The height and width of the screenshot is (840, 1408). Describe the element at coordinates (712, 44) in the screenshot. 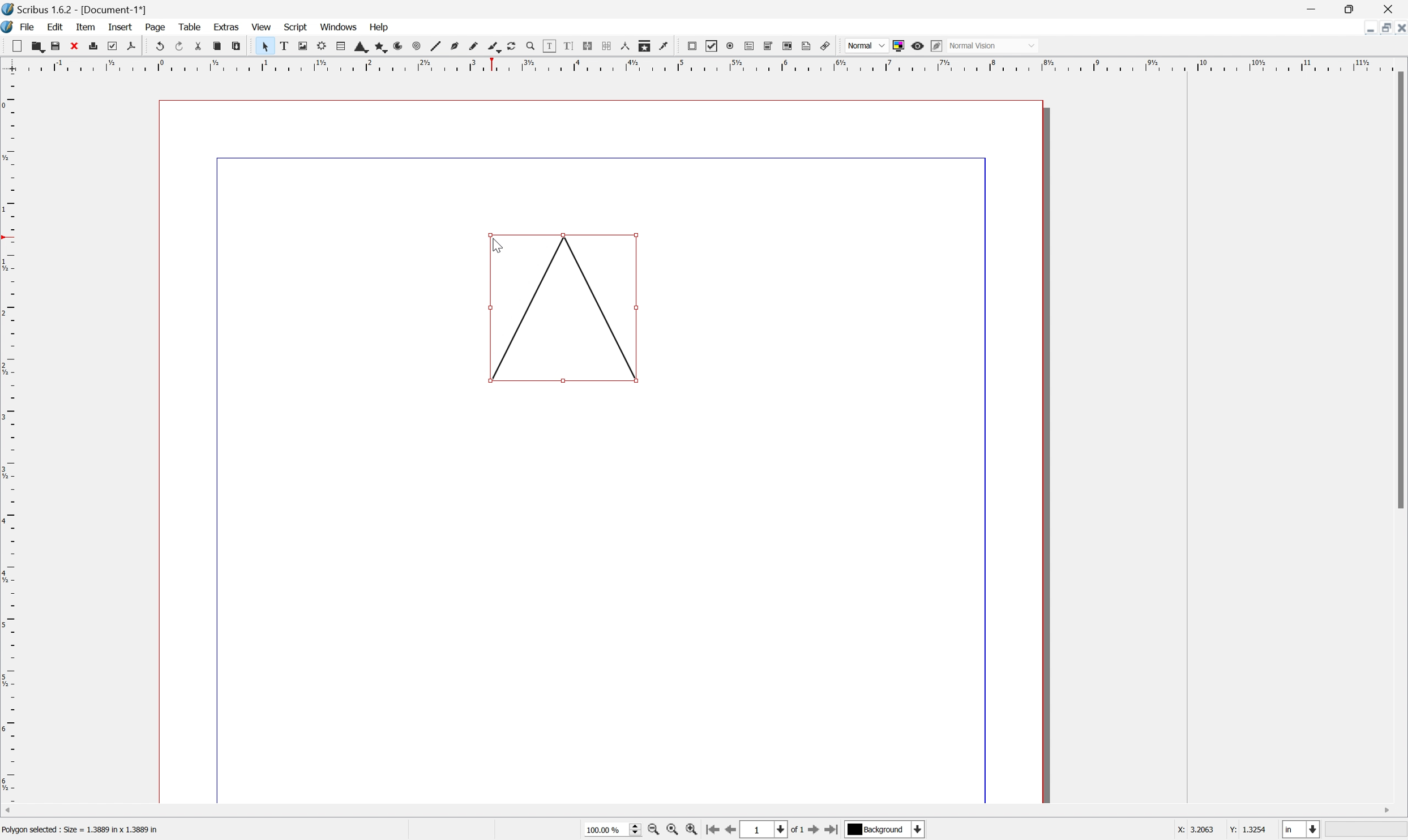

I see `PDF checkbox` at that location.